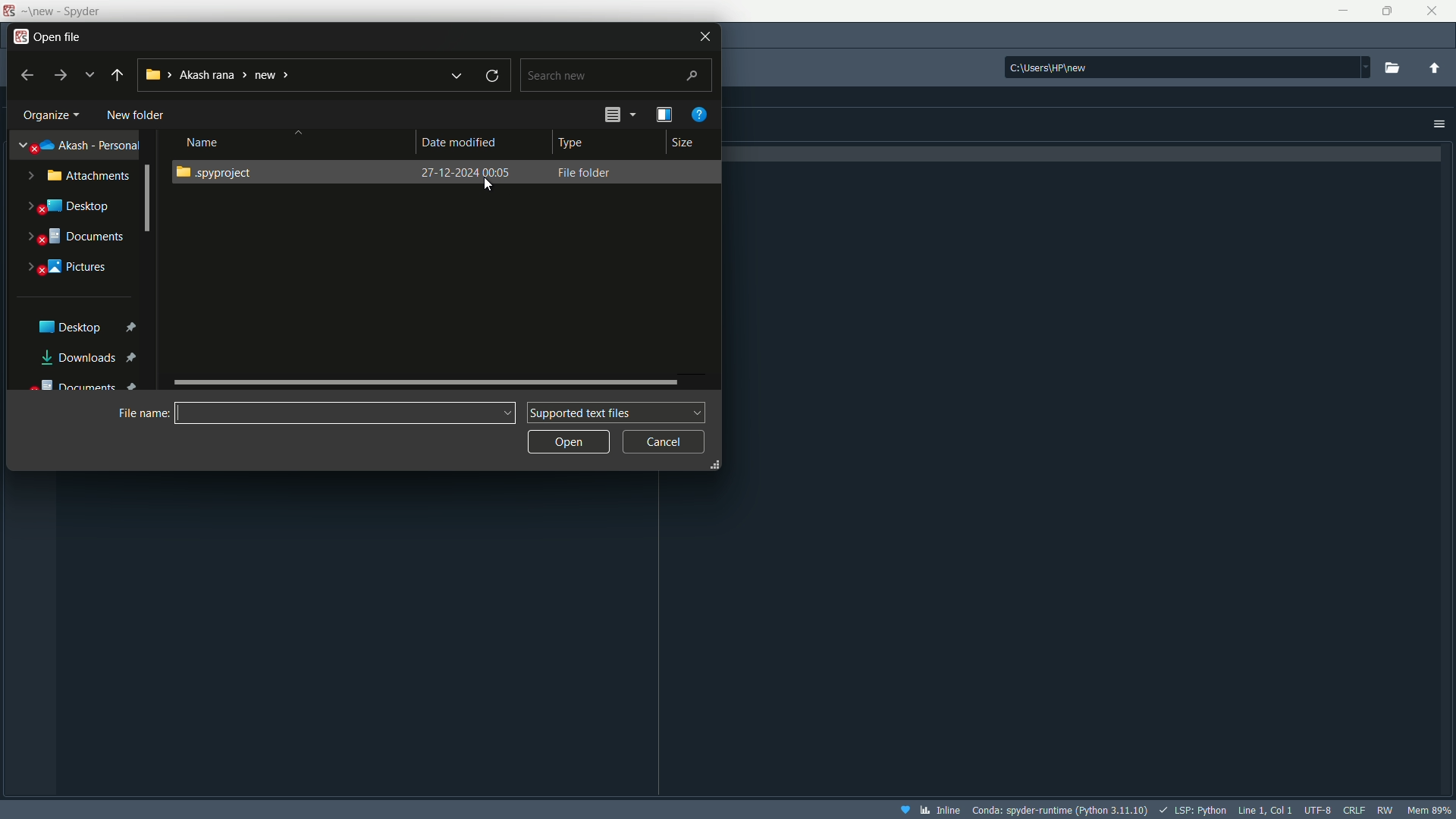 Image resolution: width=1456 pixels, height=819 pixels. I want to click on Desktop, so click(77, 207).